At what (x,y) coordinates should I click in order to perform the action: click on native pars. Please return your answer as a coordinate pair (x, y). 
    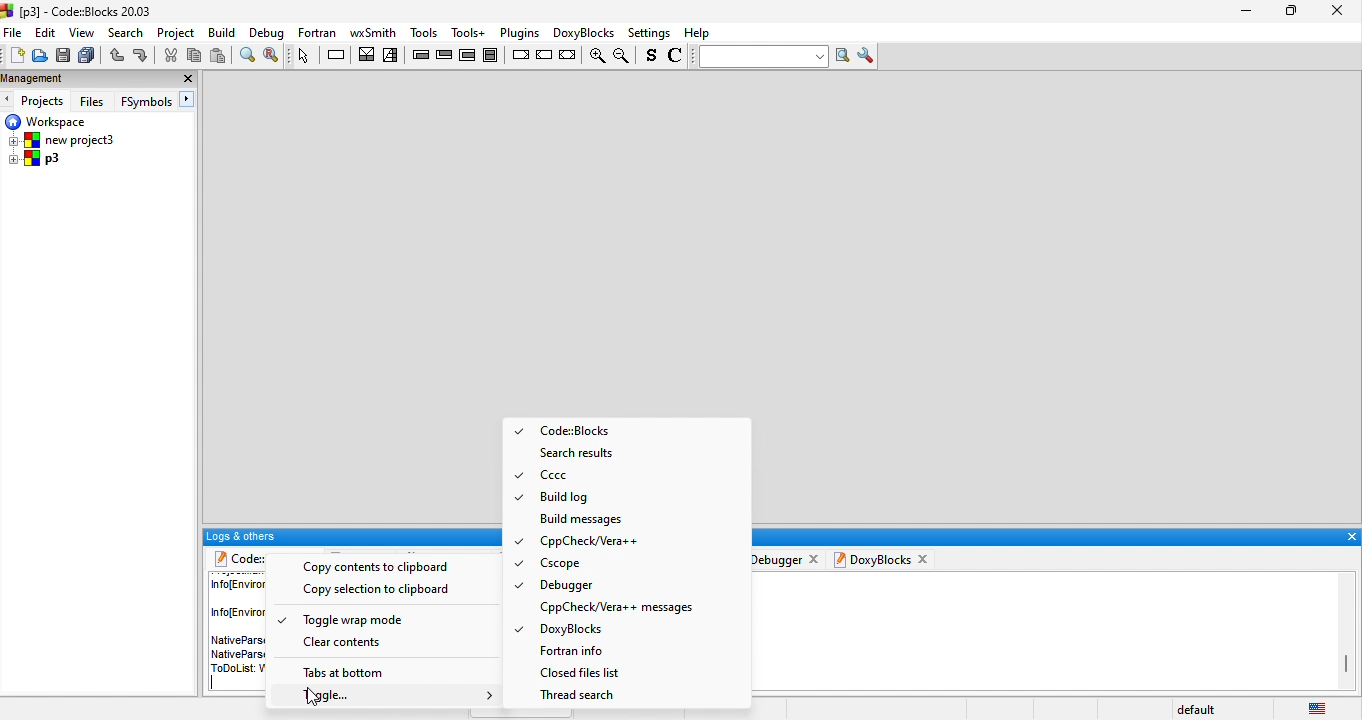
    Looking at the image, I should click on (236, 645).